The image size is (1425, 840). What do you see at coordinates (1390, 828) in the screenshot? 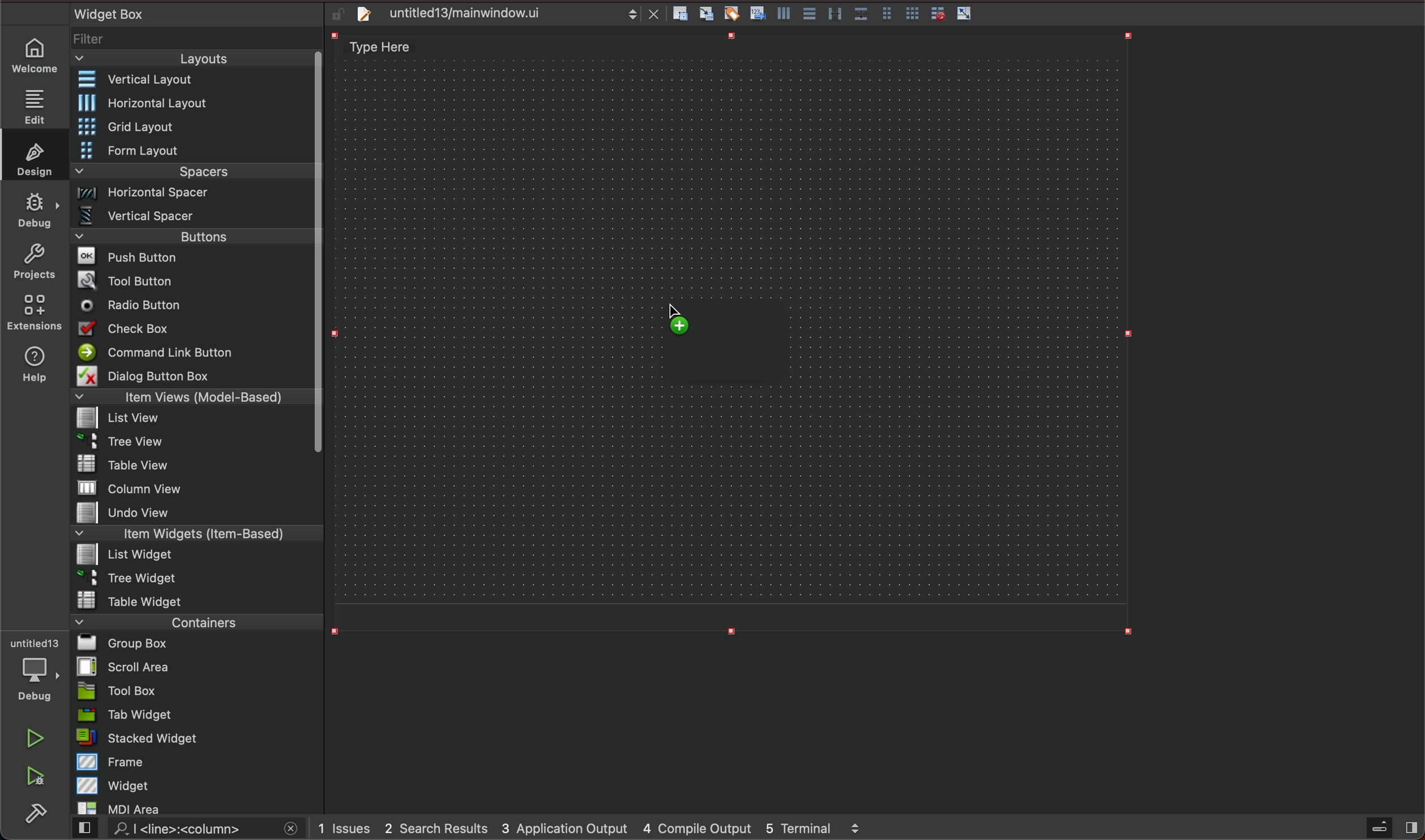
I see `close sidebar` at bounding box center [1390, 828].